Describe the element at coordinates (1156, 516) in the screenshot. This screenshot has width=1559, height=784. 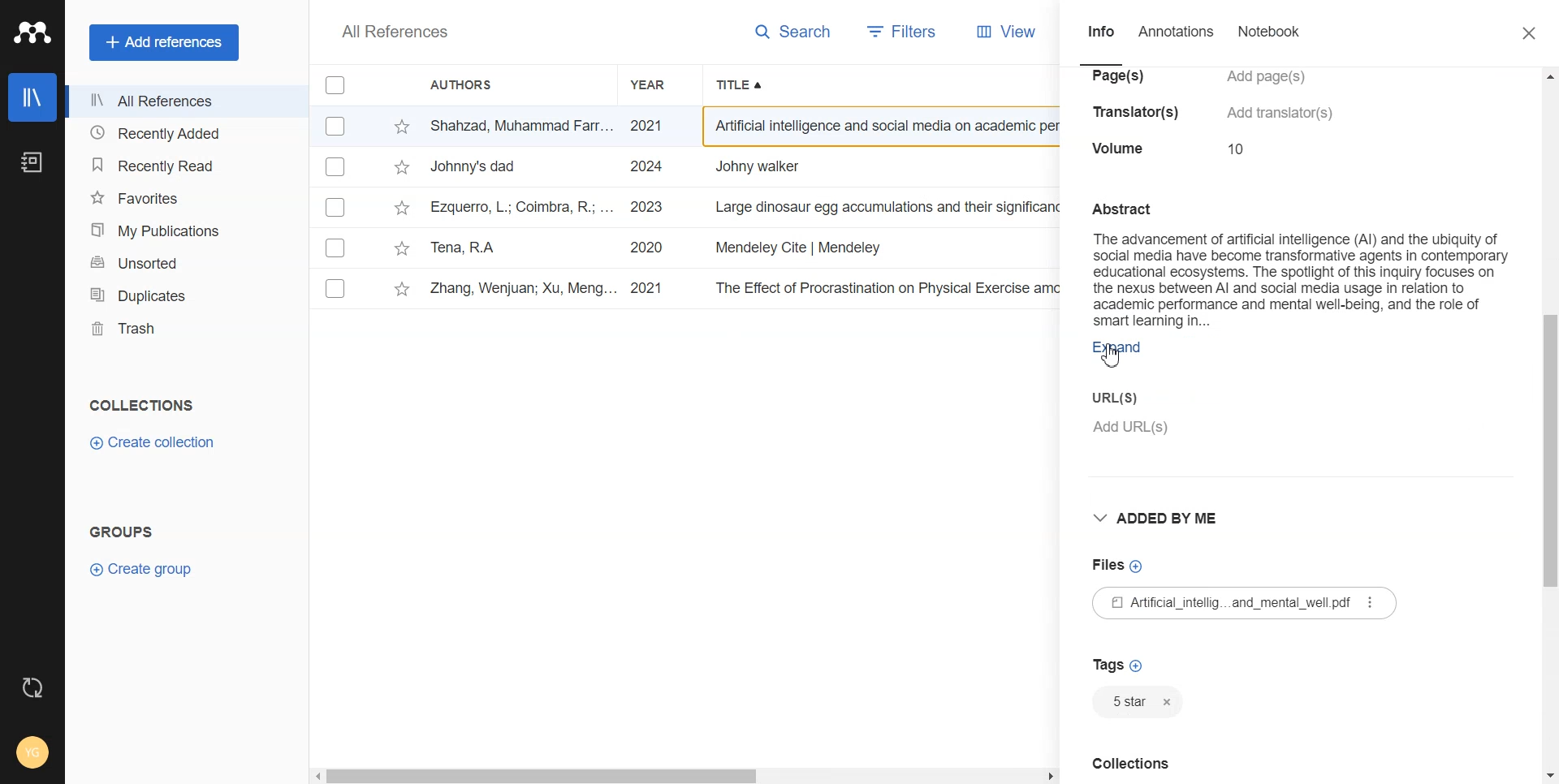
I see `Drop down box` at that location.